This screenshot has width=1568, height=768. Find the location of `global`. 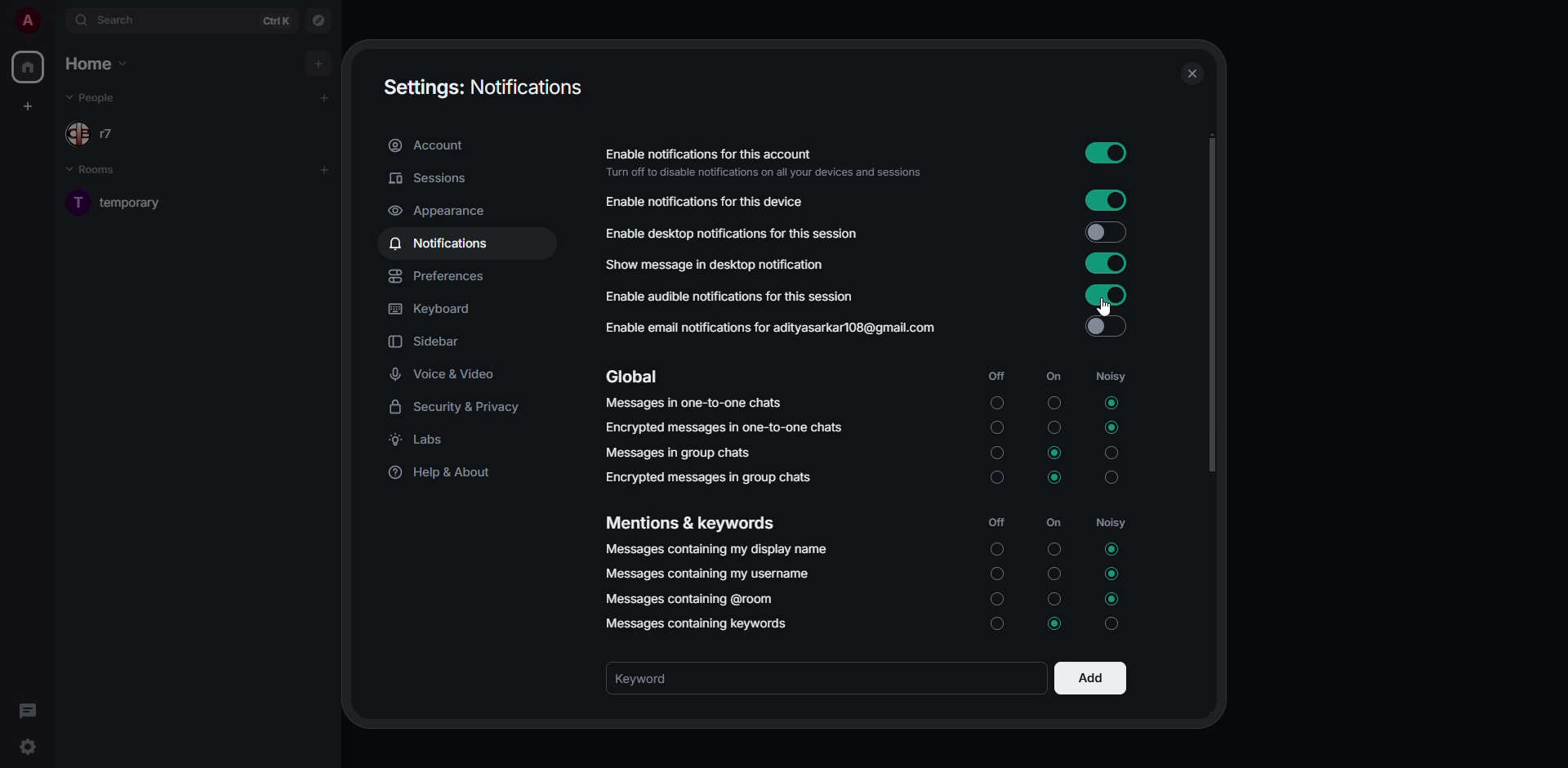

global is located at coordinates (634, 377).